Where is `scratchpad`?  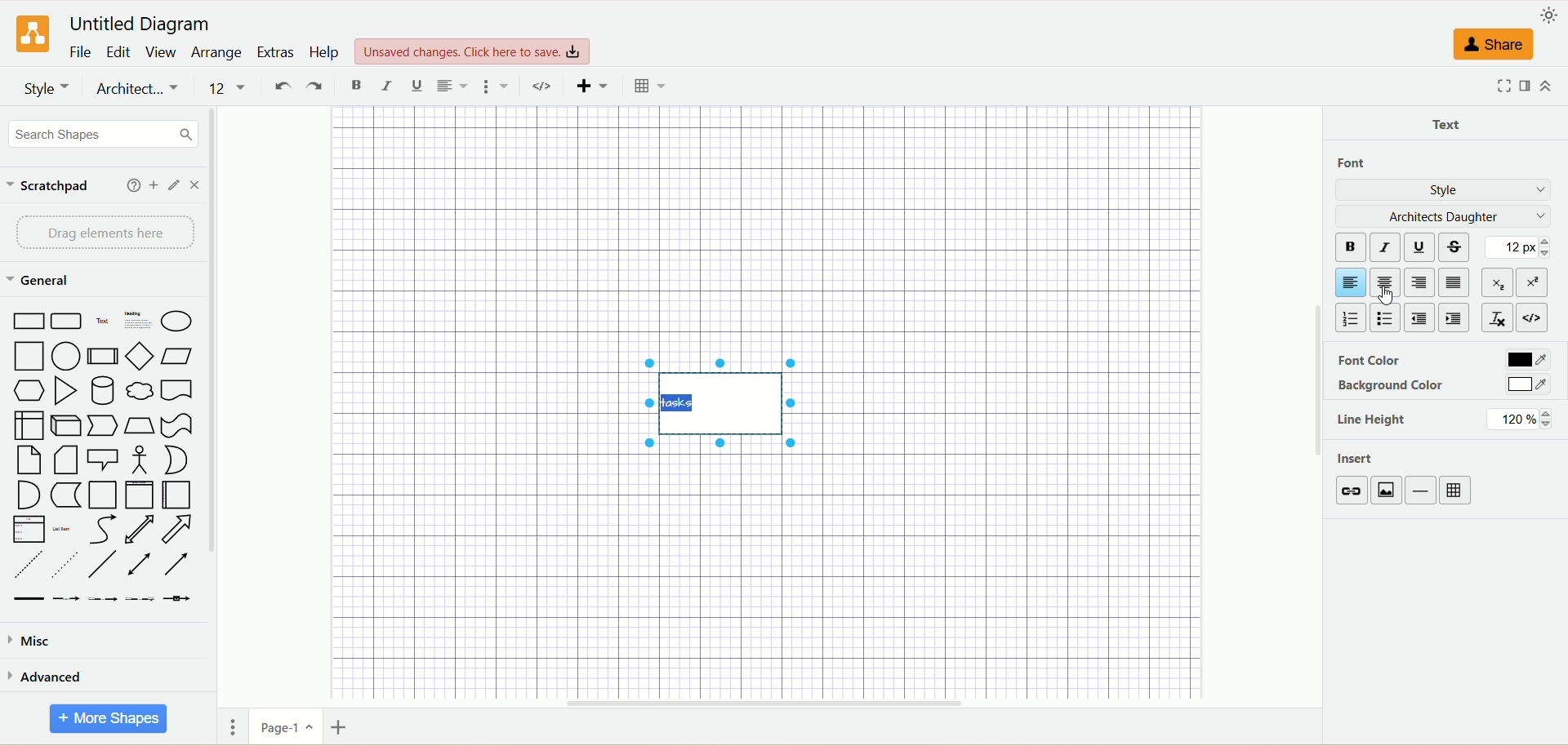 scratchpad is located at coordinates (48, 188).